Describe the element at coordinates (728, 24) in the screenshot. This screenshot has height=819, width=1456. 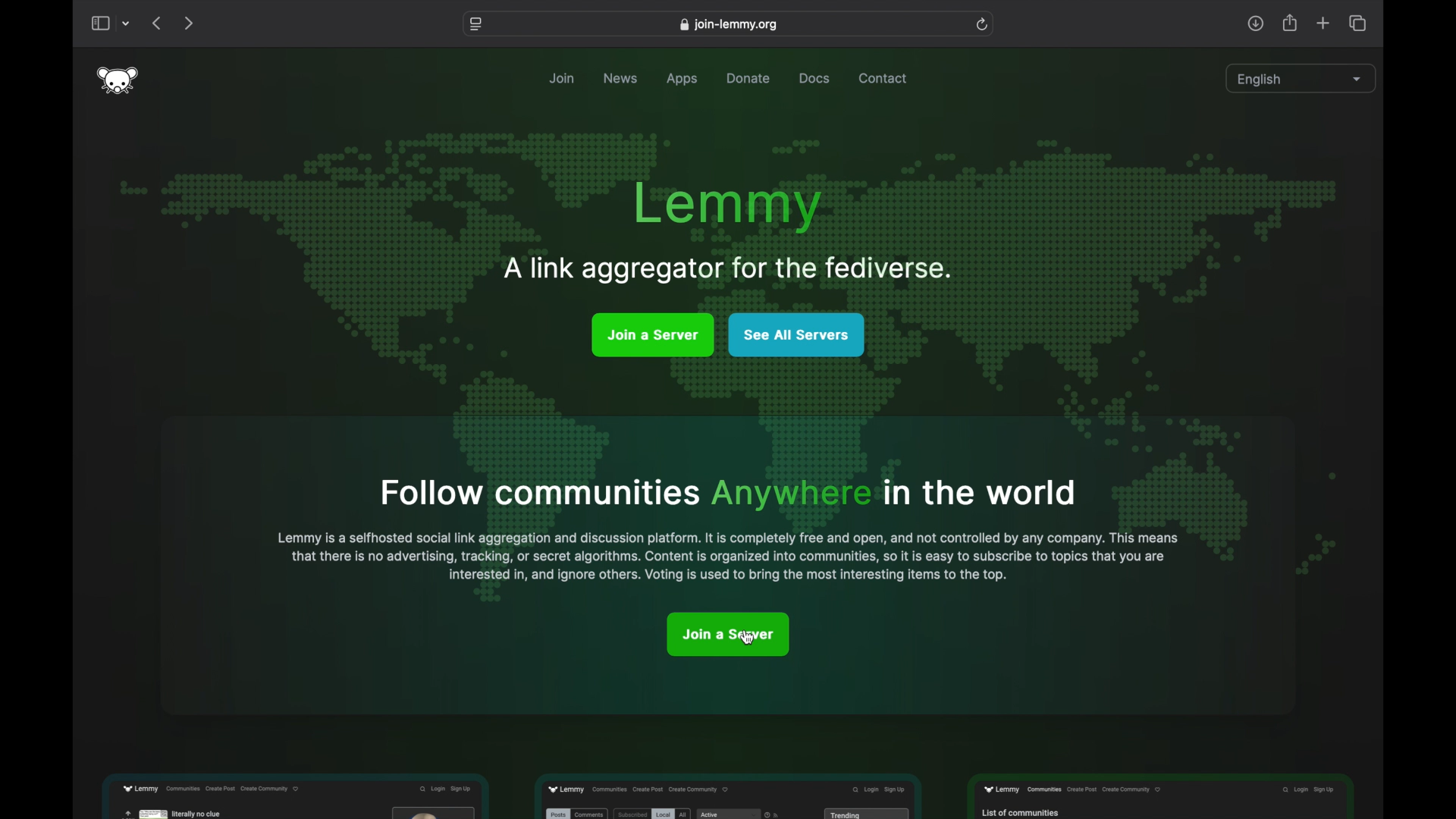
I see `web address` at that location.